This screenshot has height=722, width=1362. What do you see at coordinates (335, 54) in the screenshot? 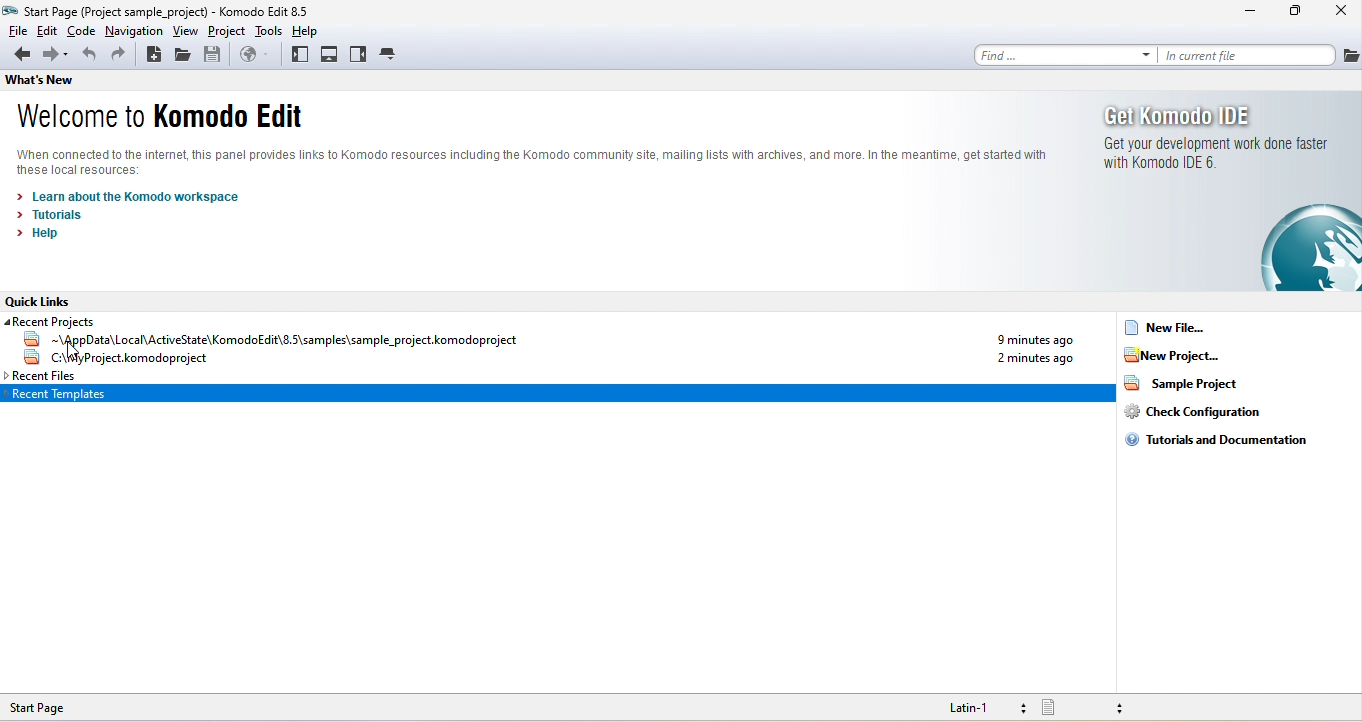
I see `bottom pane` at bounding box center [335, 54].